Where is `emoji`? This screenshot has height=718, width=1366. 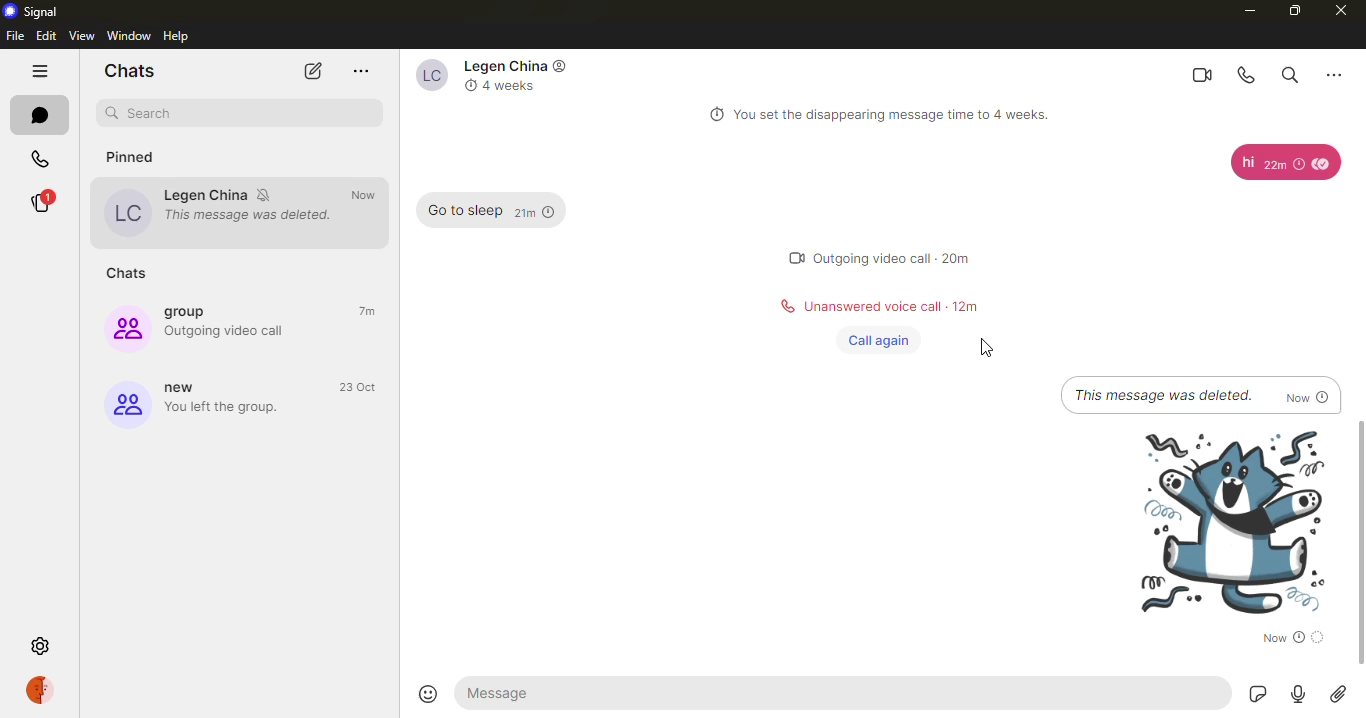 emoji is located at coordinates (421, 694).